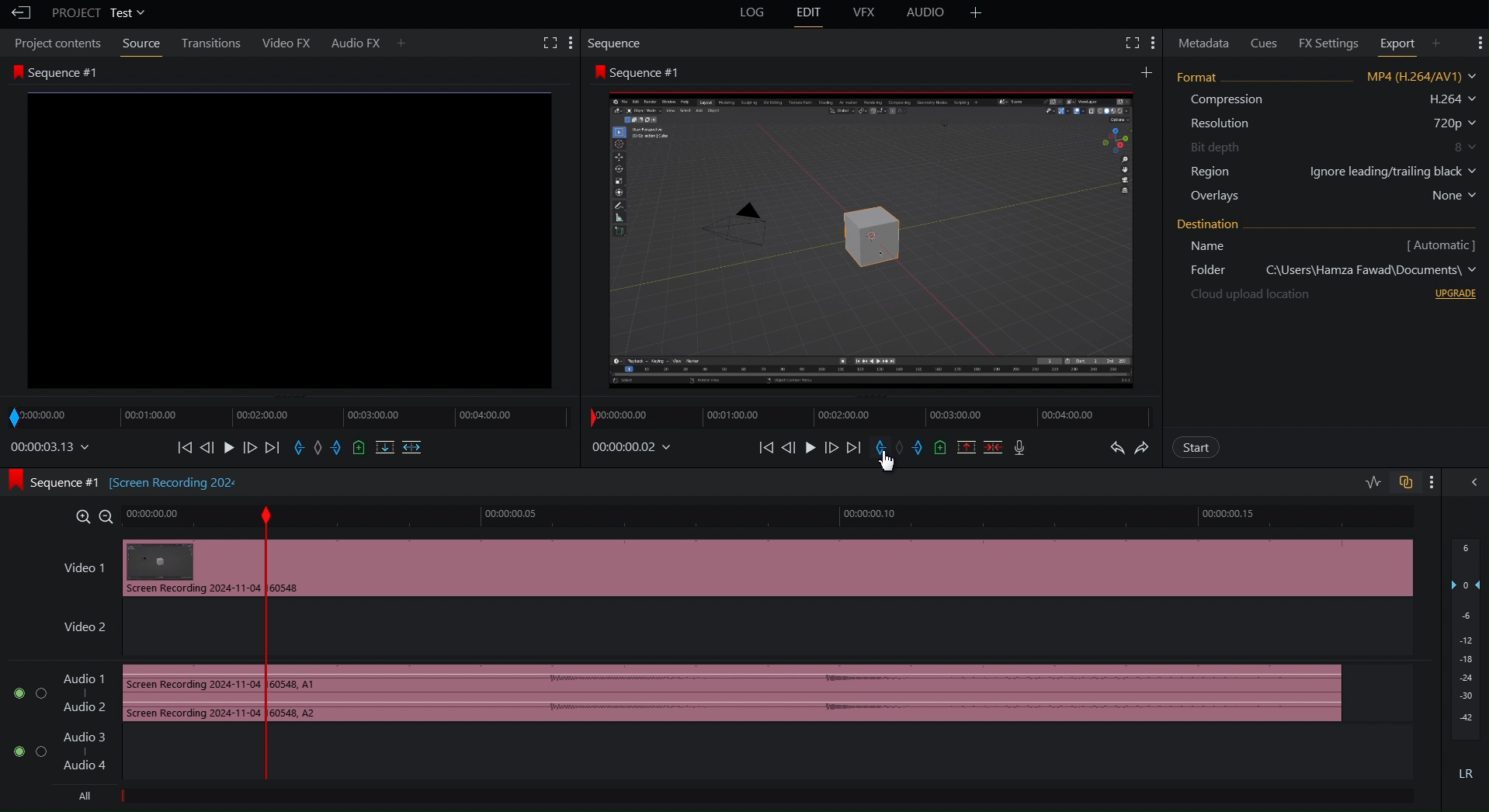 The image size is (1489, 812). What do you see at coordinates (868, 15) in the screenshot?
I see `VFX` at bounding box center [868, 15].